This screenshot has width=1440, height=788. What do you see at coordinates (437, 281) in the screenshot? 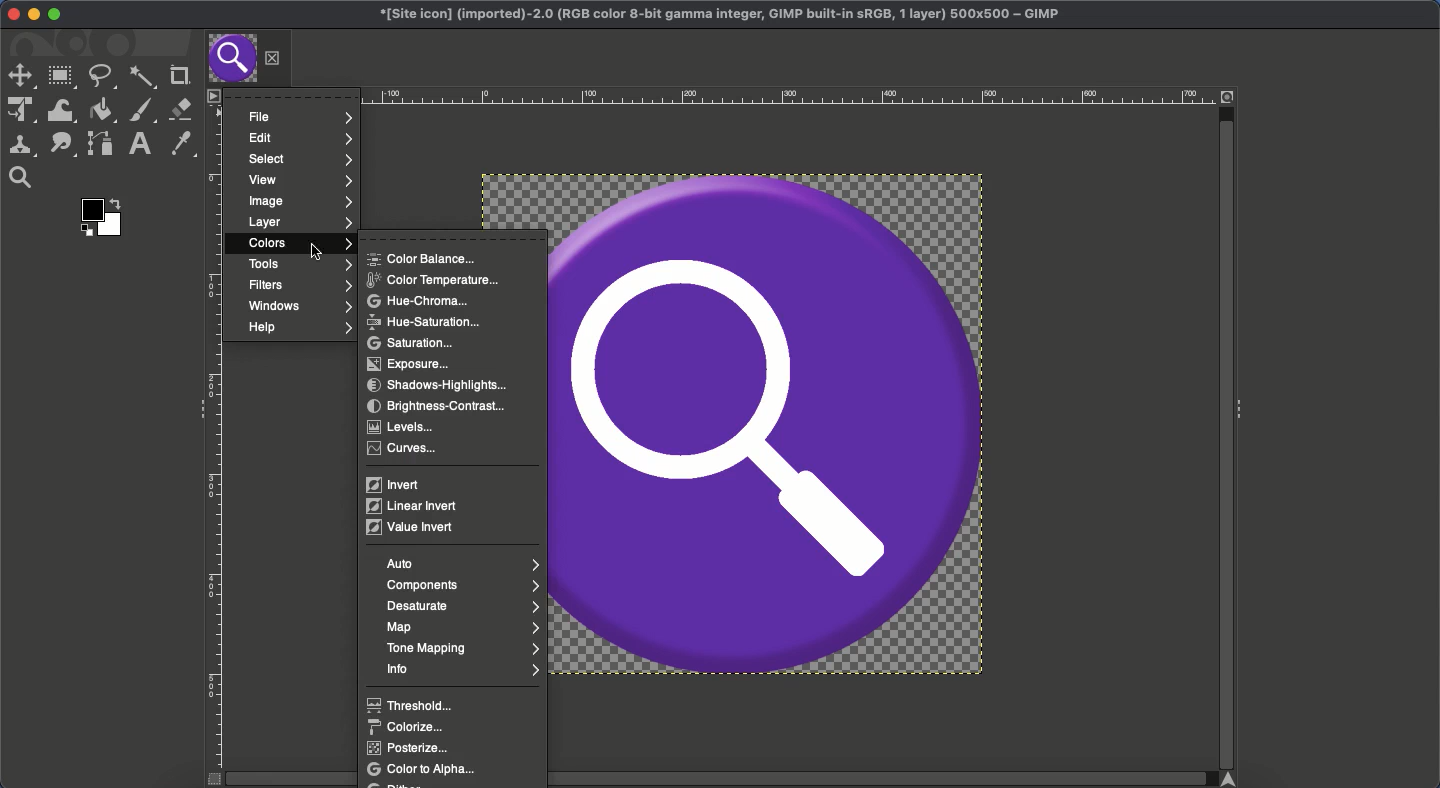
I see `Color temperature` at bounding box center [437, 281].